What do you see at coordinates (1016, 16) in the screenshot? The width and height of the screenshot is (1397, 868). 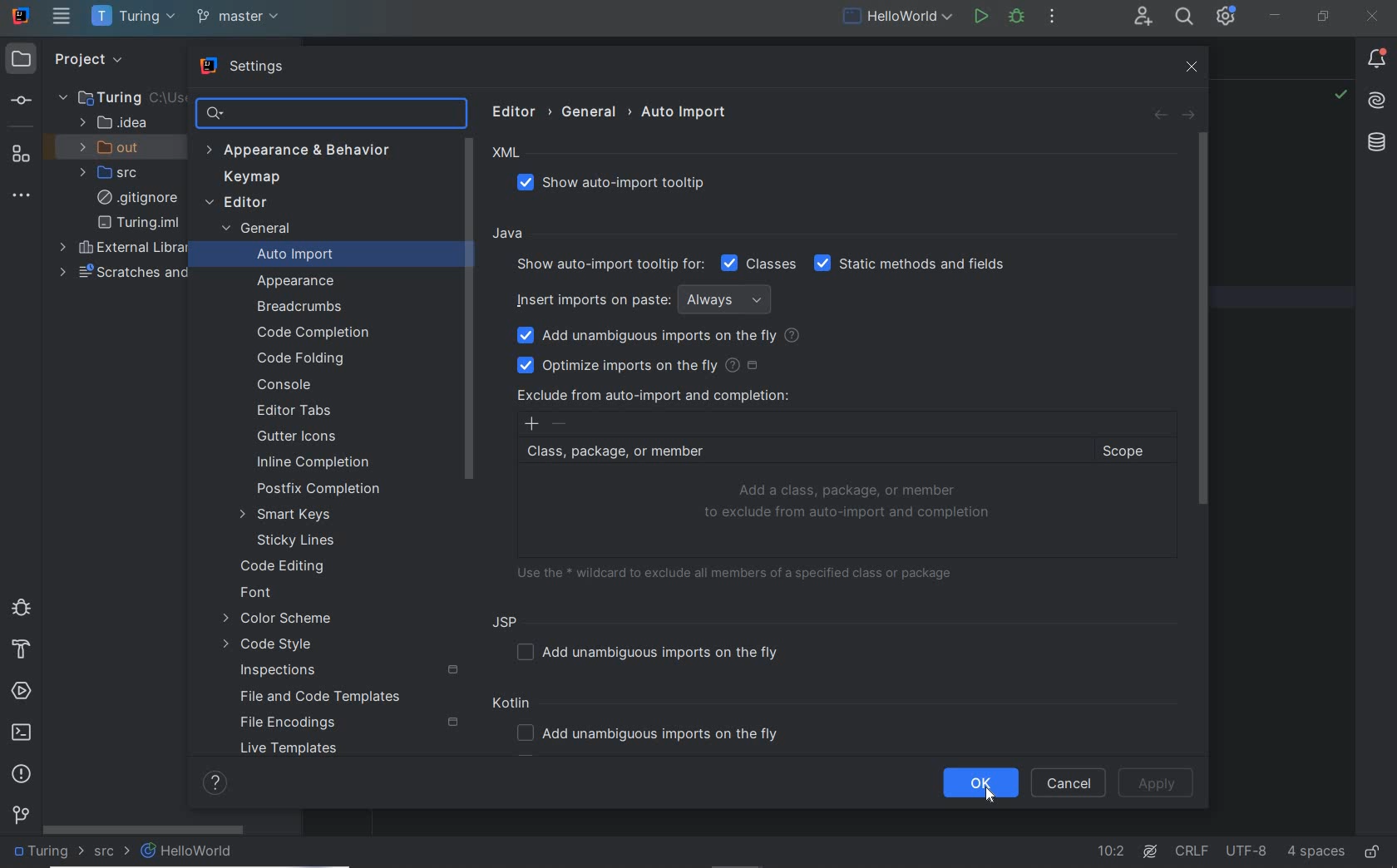 I see `DEBUG` at bounding box center [1016, 16].